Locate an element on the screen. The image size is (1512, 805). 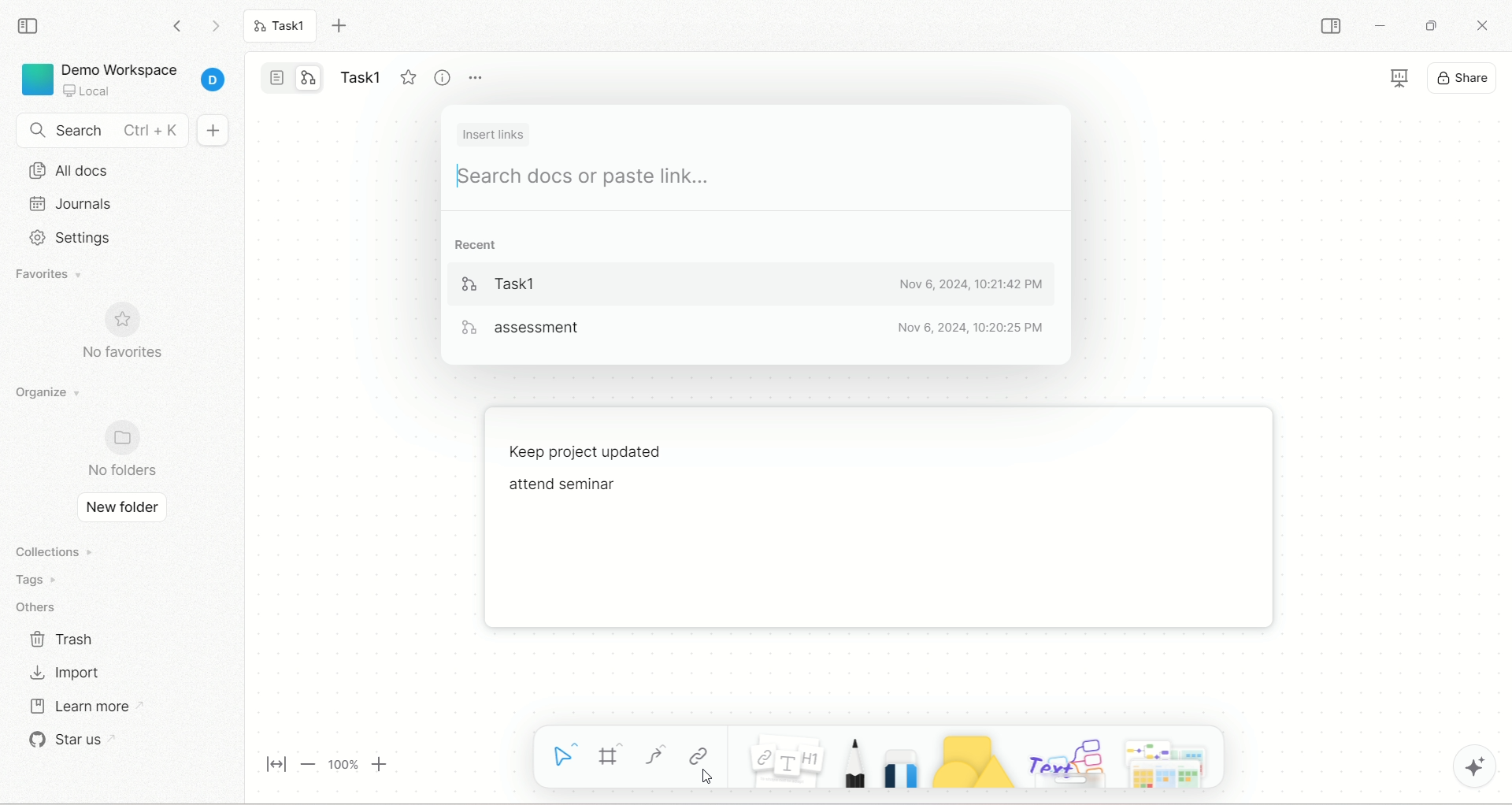
no favorites is located at coordinates (135, 335).